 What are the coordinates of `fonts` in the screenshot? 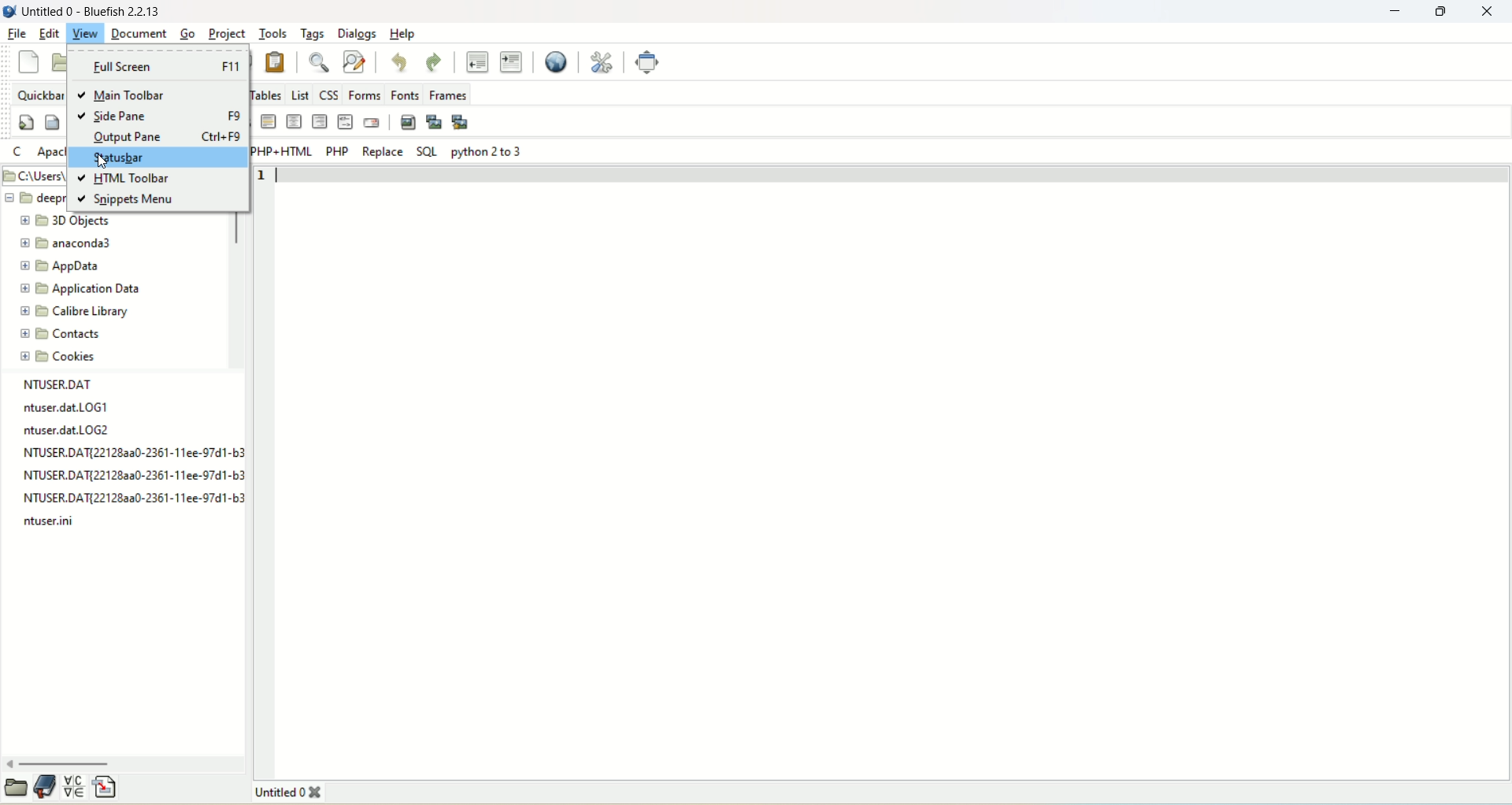 It's located at (408, 94).